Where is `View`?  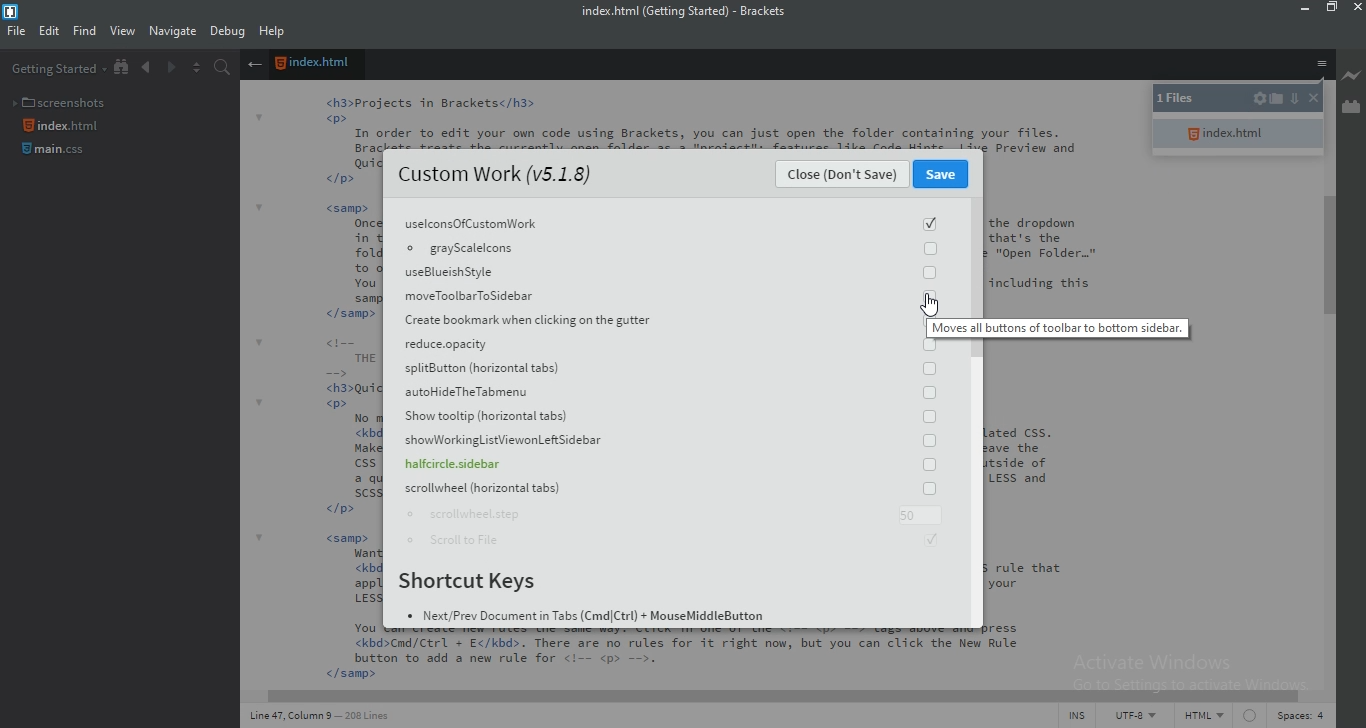
View is located at coordinates (123, 32).